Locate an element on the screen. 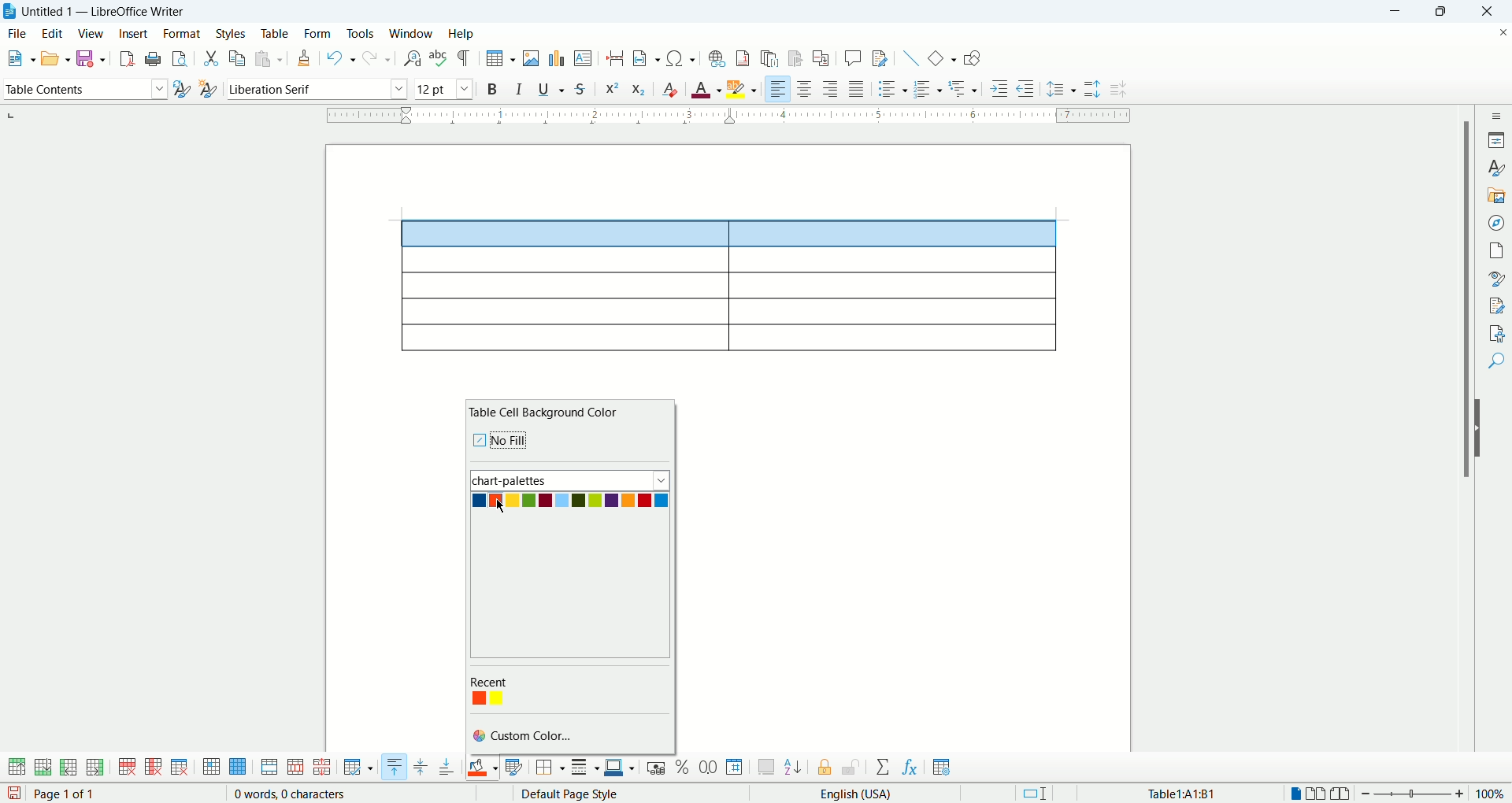 The width and height of the screenshot is (1512, 803). export as pdf is located at coordinates (125, 59).